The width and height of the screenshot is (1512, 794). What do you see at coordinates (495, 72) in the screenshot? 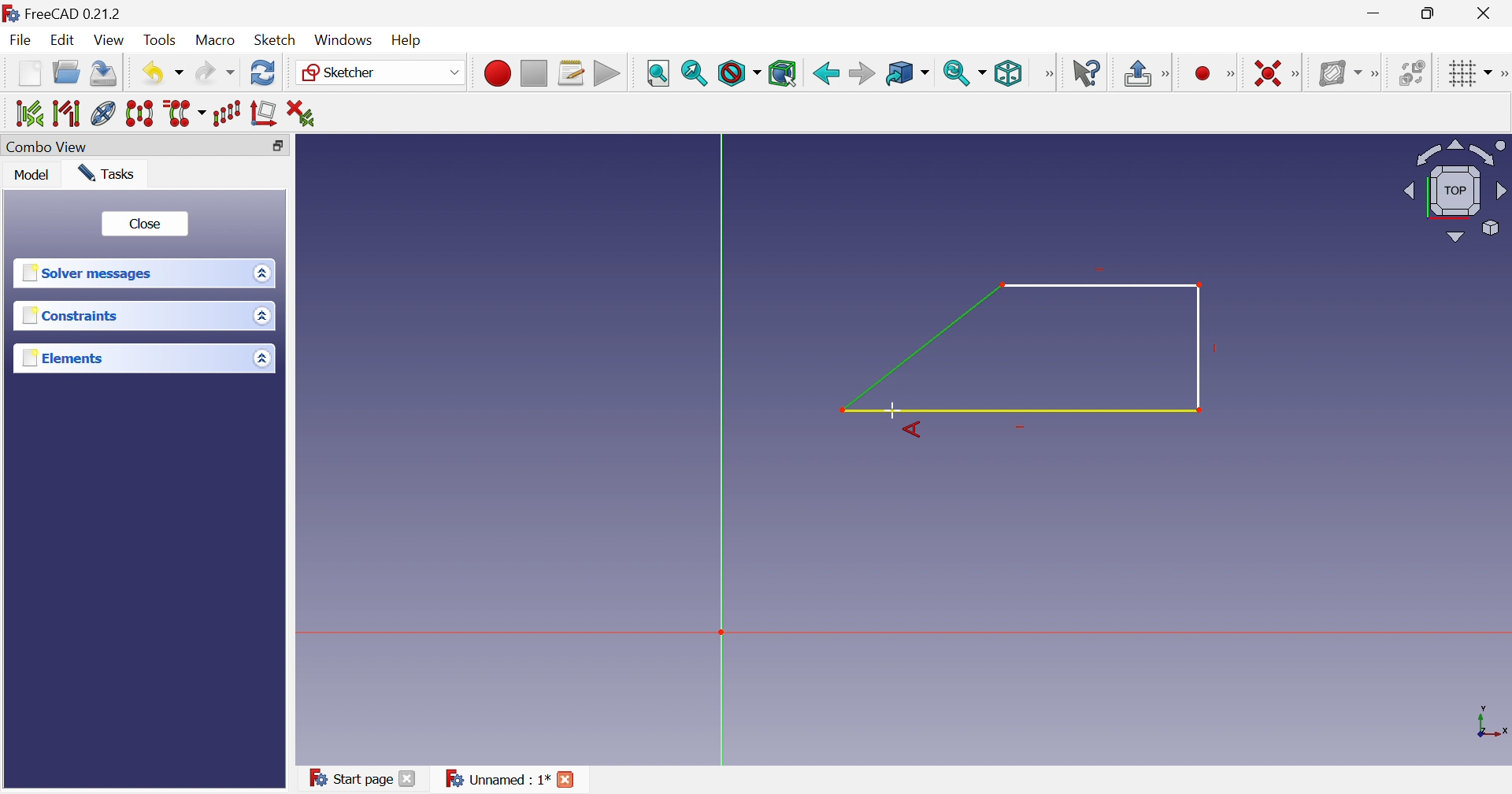
I see `Macro recording ...` at bounding box center [495, 72].